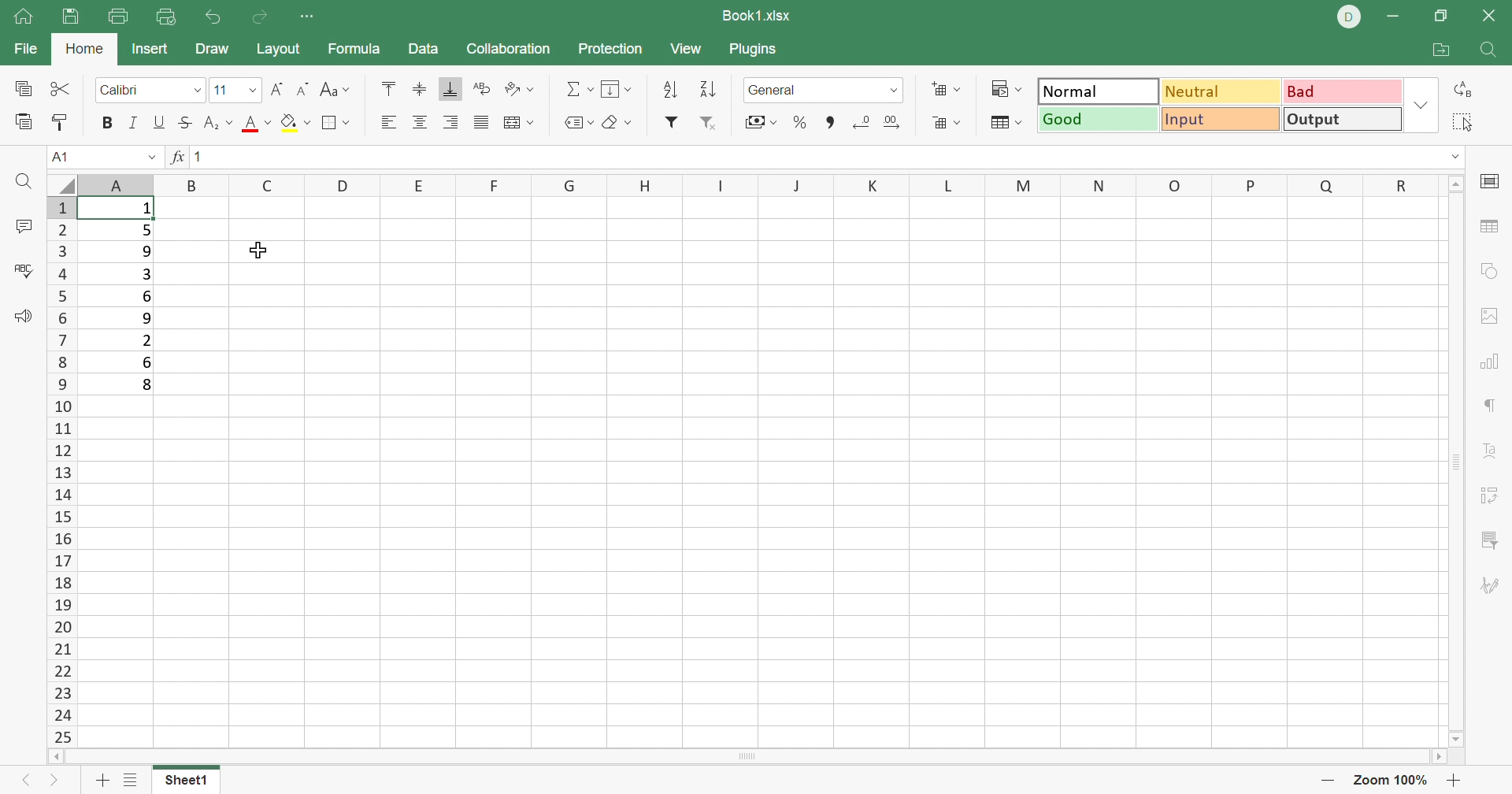  Describe the element at coordinates (213, 18) in the screenshot. I see `Undo` at that location.